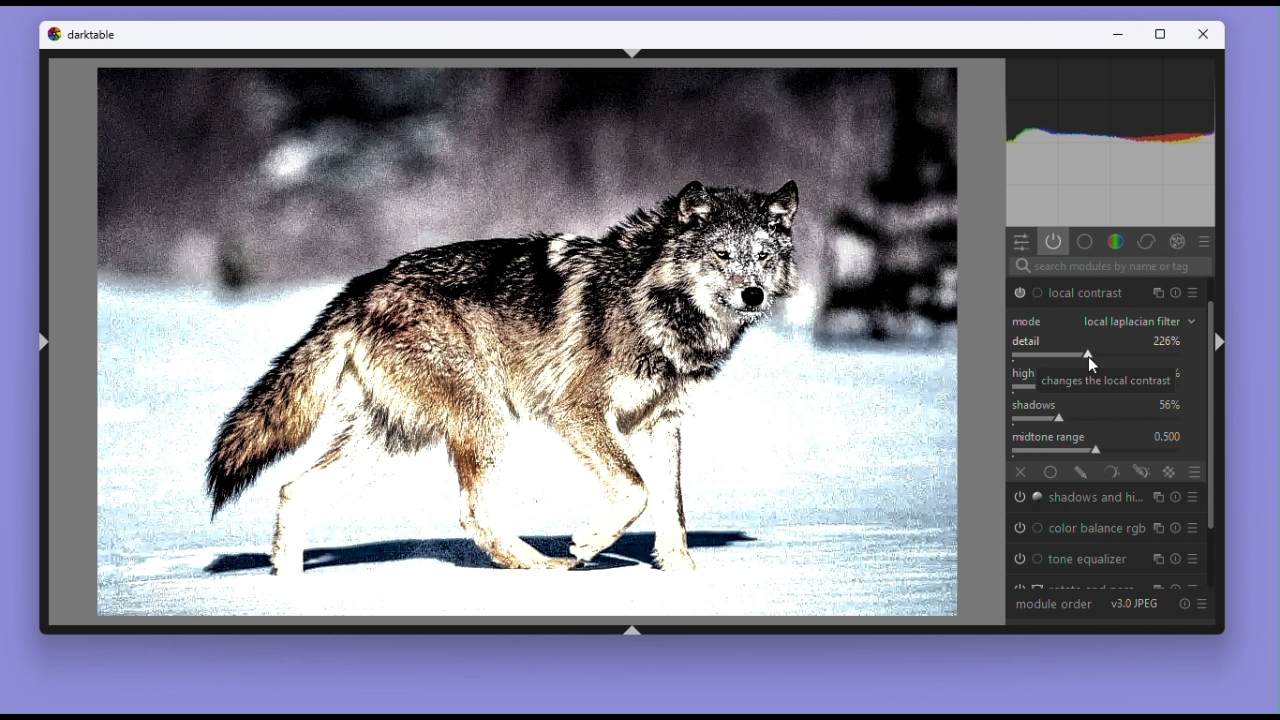 The image size is (1280, 720). I want to click on presets, so click(1196, 557).